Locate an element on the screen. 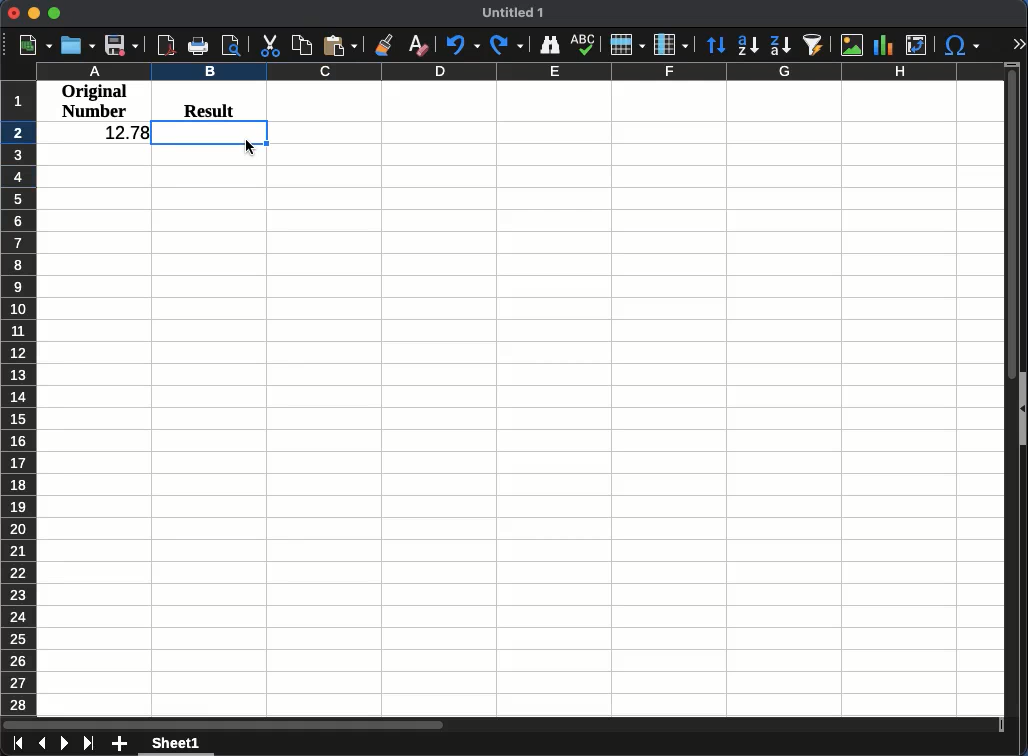 This screenshot has height=756, width=1028. print is located at coordinates (200, 45).